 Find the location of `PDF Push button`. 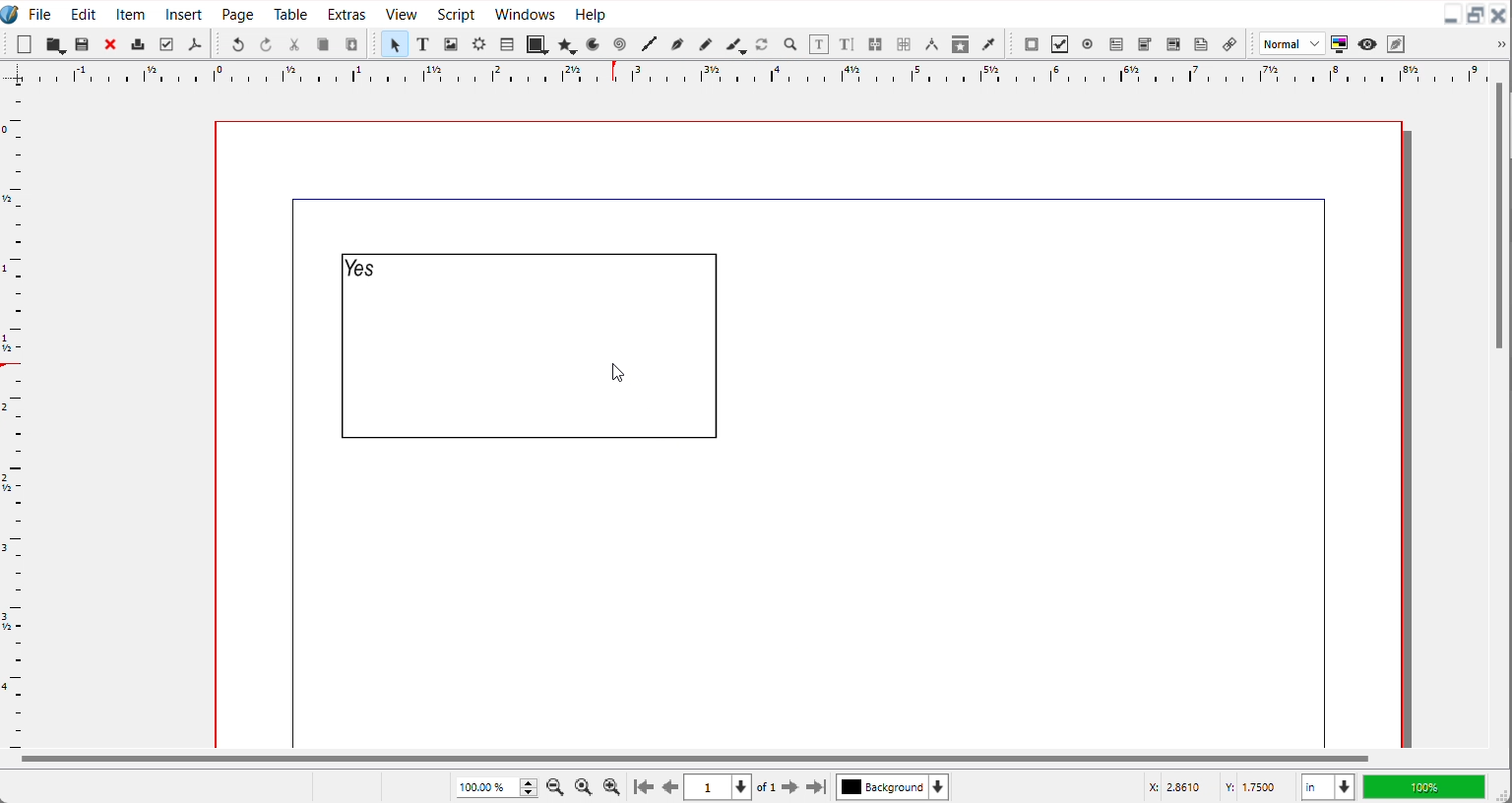

PDF Push button is located at coordinates (1032, 43).